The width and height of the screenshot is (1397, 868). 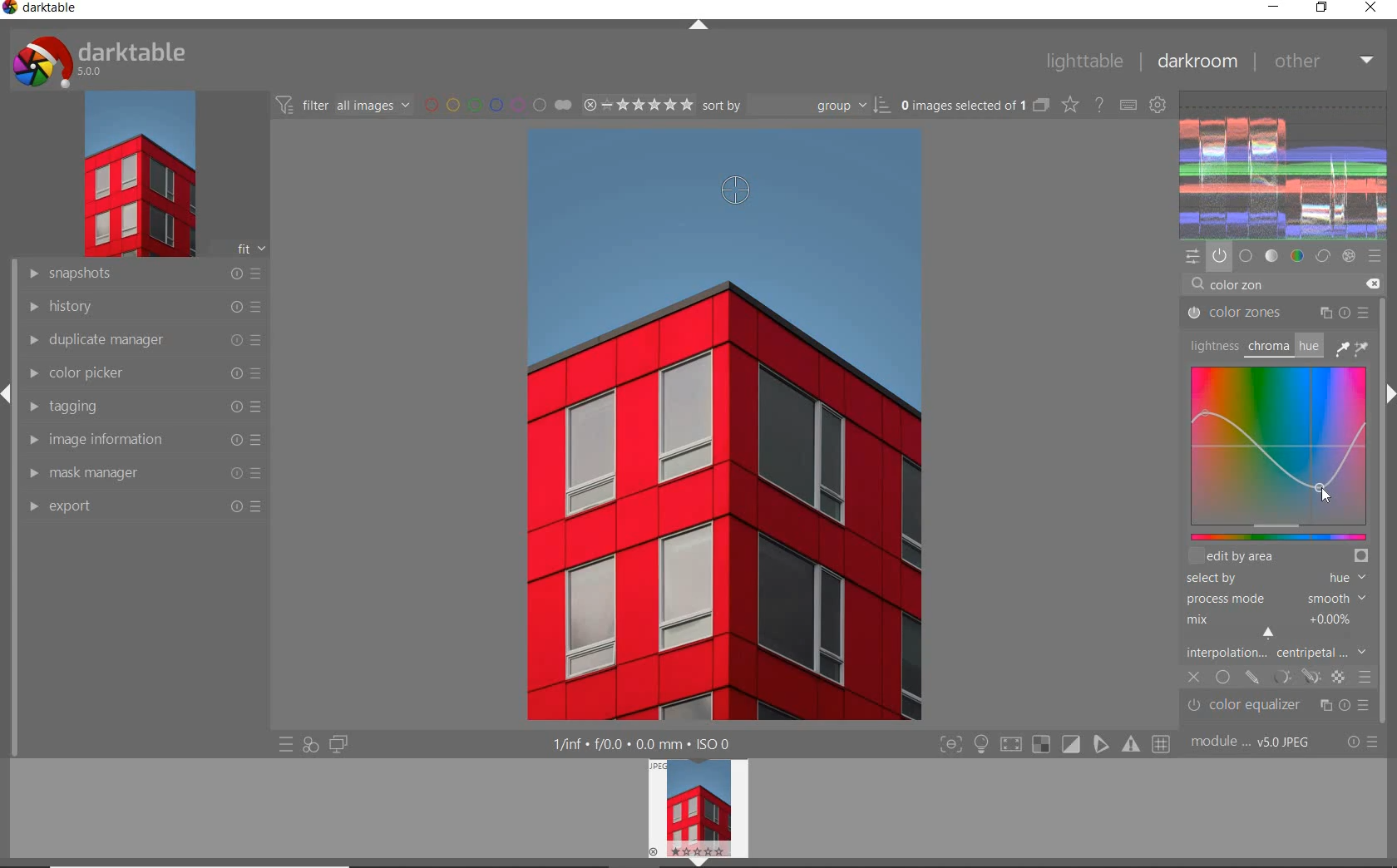 What do you see at coordinates (497, 105) in the screenshot?
I see `filter by image color label` at bounding box center [497, 105].